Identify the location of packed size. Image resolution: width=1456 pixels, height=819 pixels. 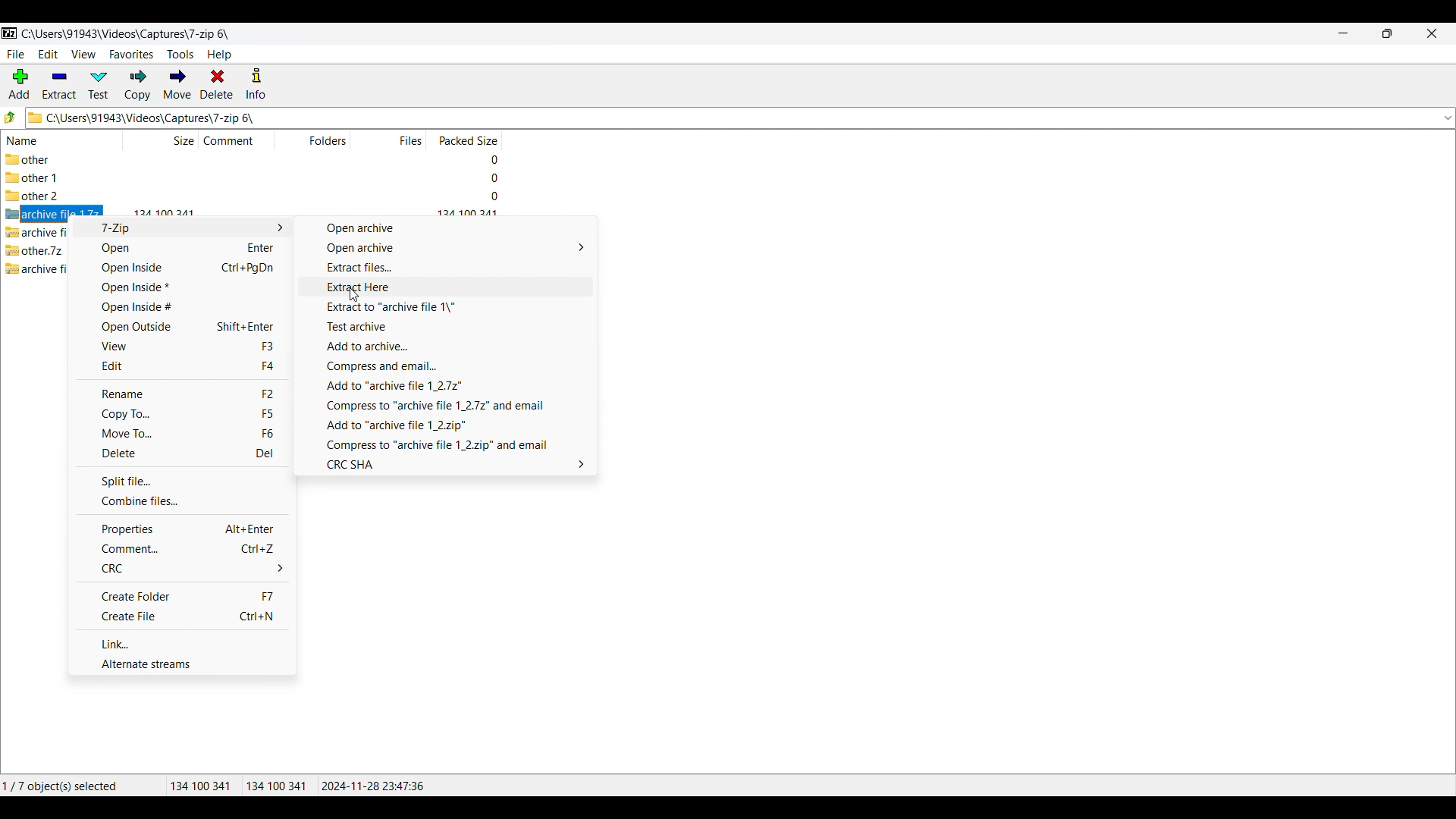
(490, 196).